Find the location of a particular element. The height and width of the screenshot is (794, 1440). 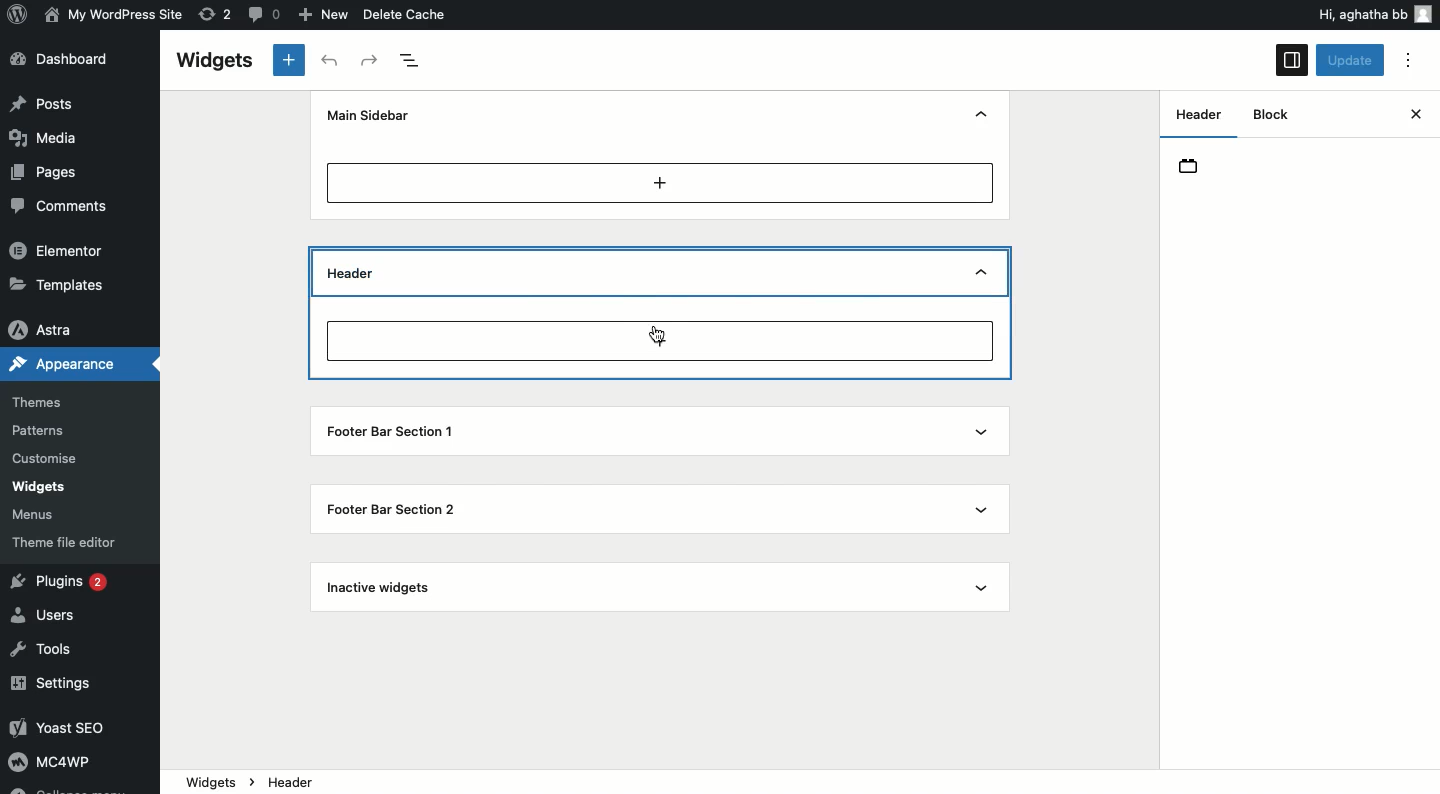

Hide is located at coordinates (981, 116).